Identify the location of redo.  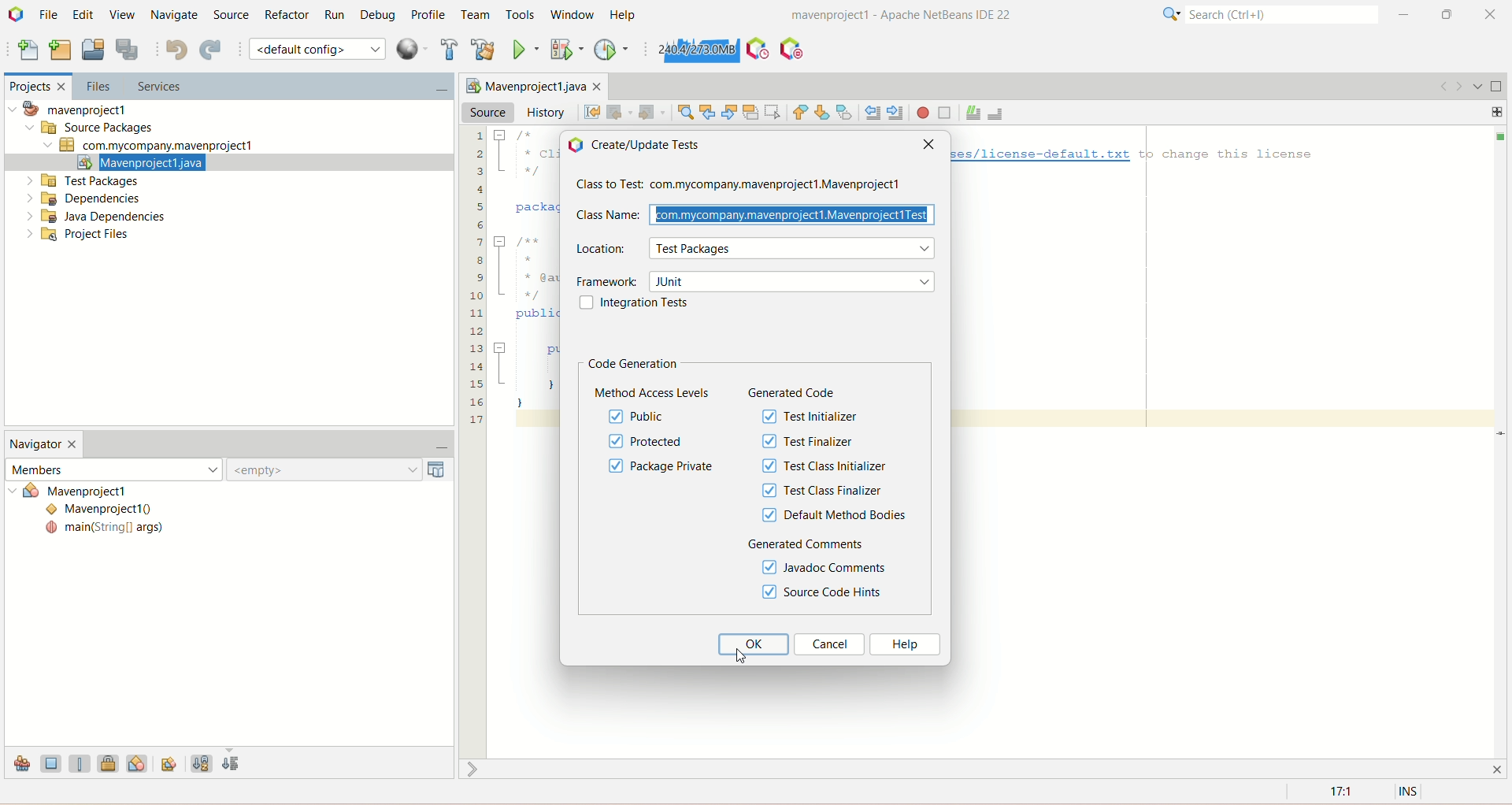
(213, 51).